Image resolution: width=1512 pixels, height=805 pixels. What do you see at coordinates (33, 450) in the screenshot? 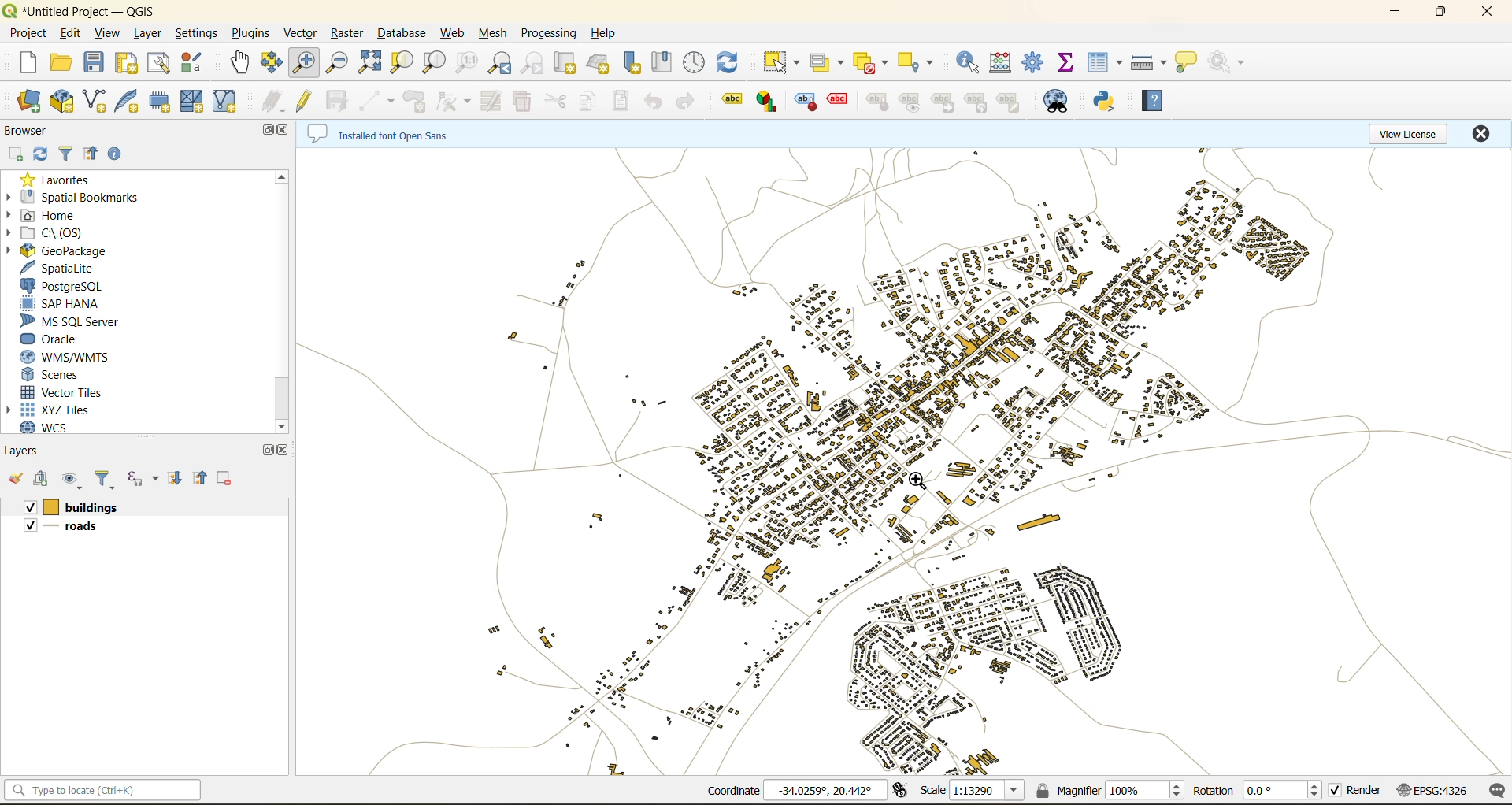
I see `layers` at bounding box center [33, 450].